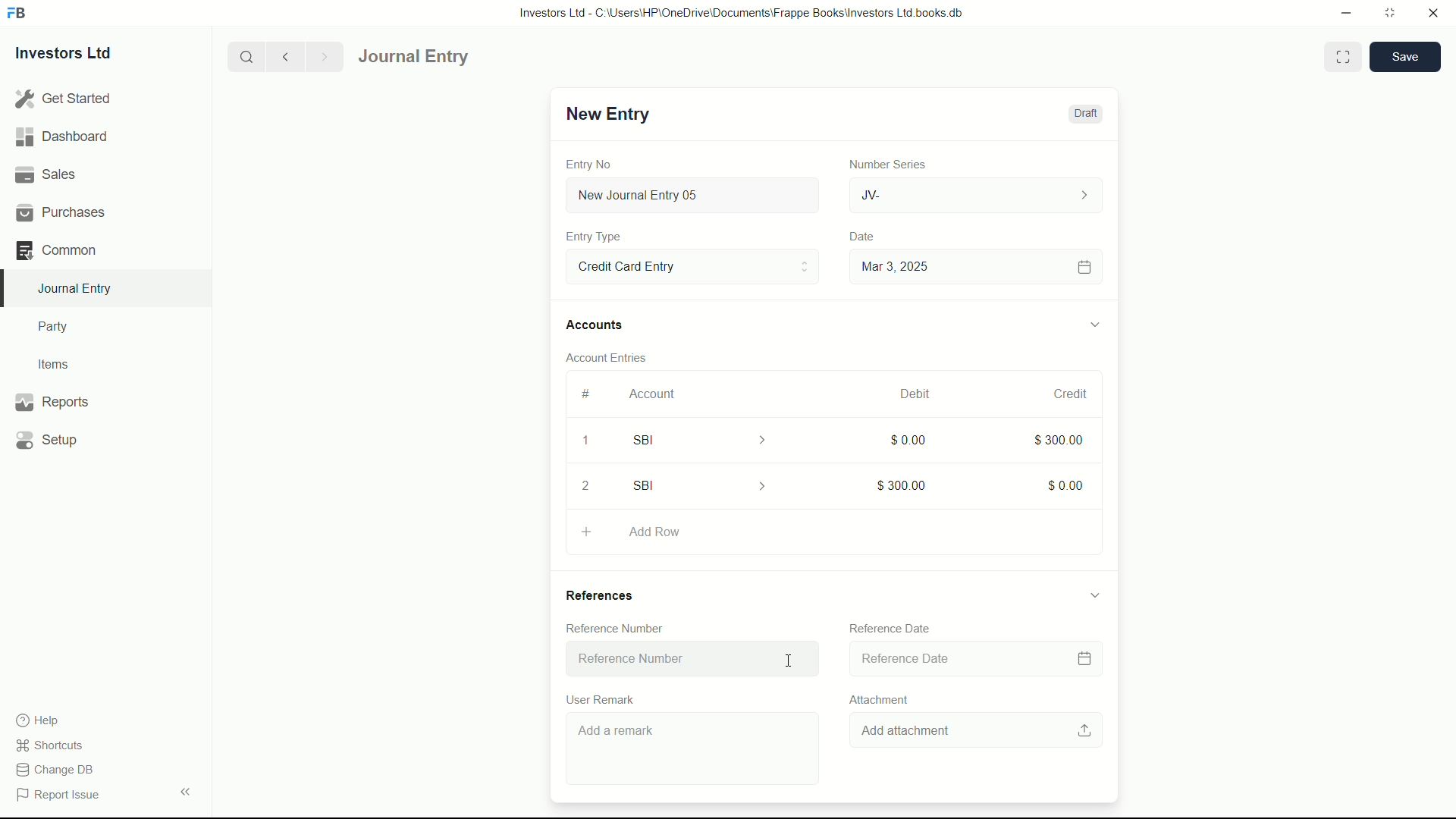 Image resolution: width=1456 pixels, height=819 pixels. I want to click on Reference Date, so click(890, 626).